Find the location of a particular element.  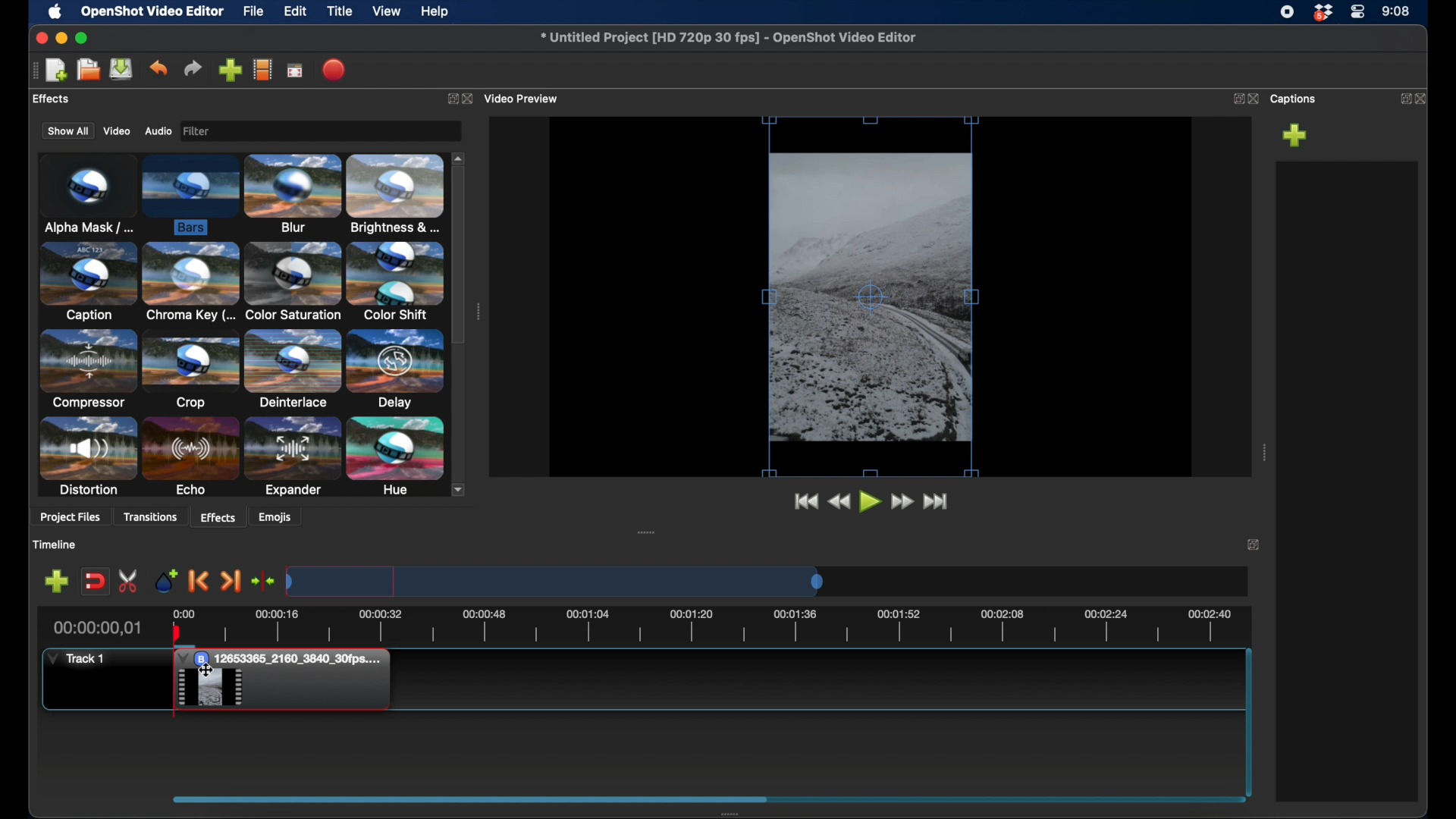

scroll up arrow is located at coordinates (460, 156).